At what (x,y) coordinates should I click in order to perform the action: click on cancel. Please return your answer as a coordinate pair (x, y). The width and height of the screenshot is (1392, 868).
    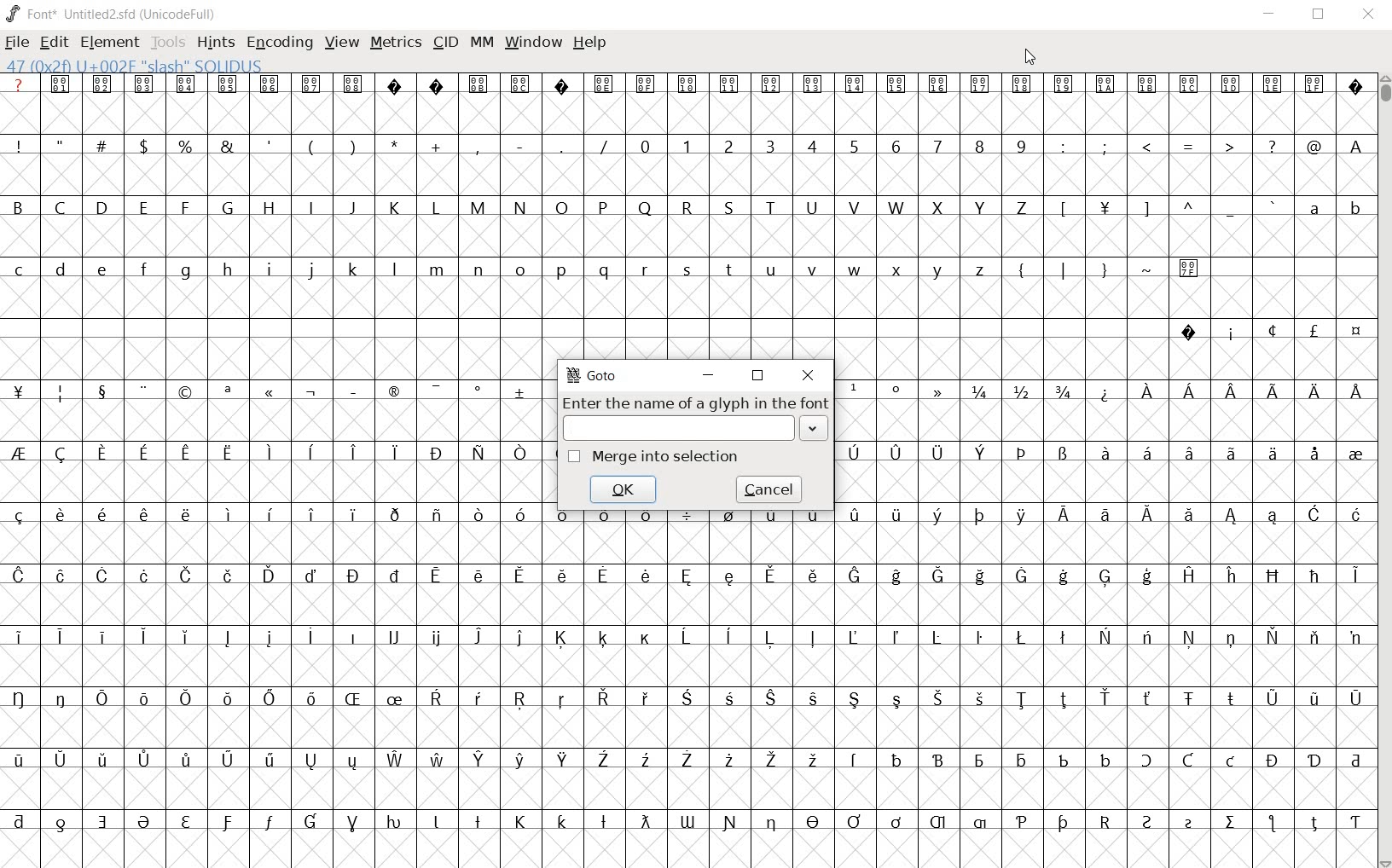
    Looking at the image, I should click on (768, 489).